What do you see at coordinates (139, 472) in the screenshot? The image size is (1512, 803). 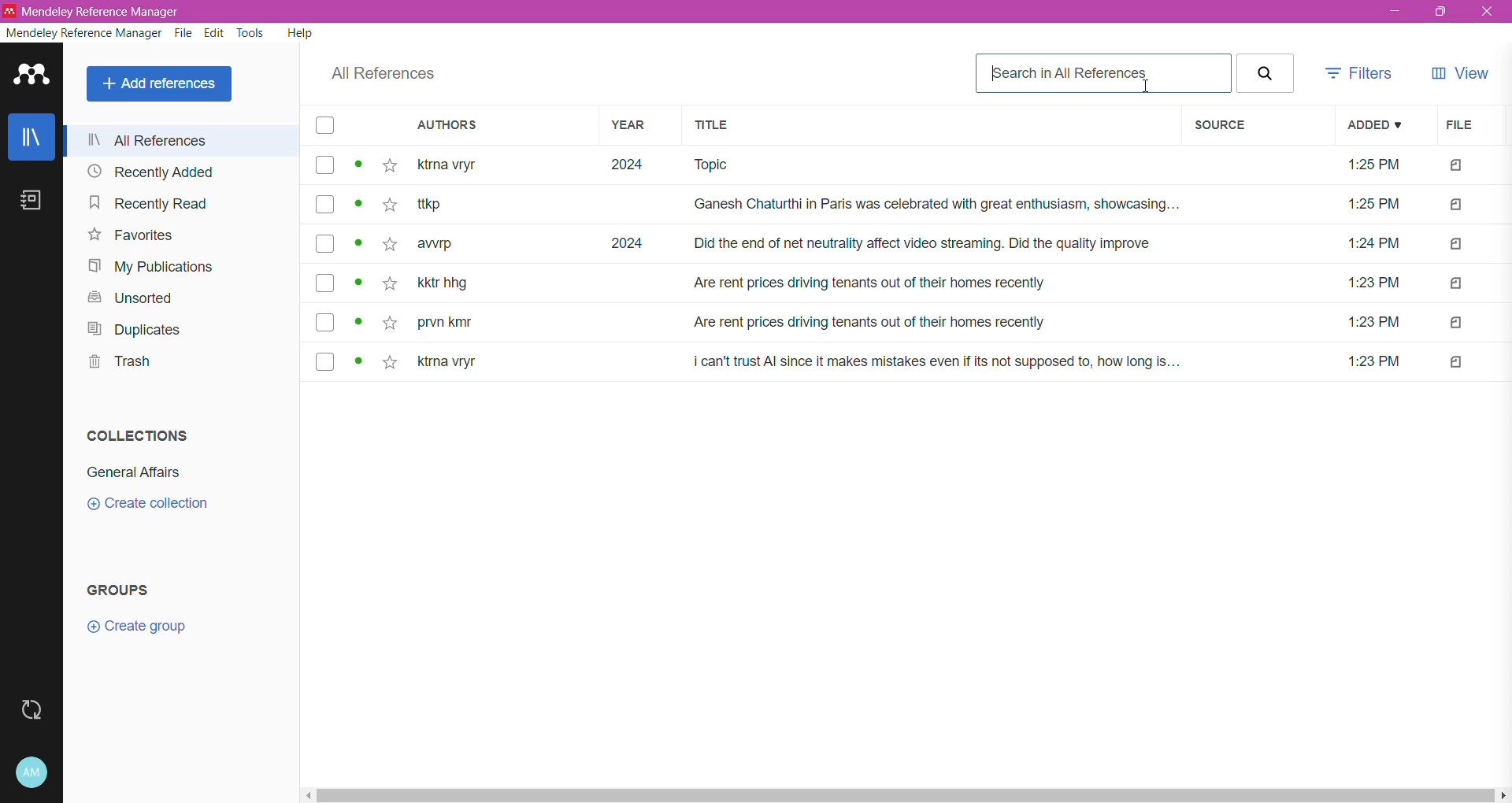 I see `Collection Name` at bounding box center [139, 472].